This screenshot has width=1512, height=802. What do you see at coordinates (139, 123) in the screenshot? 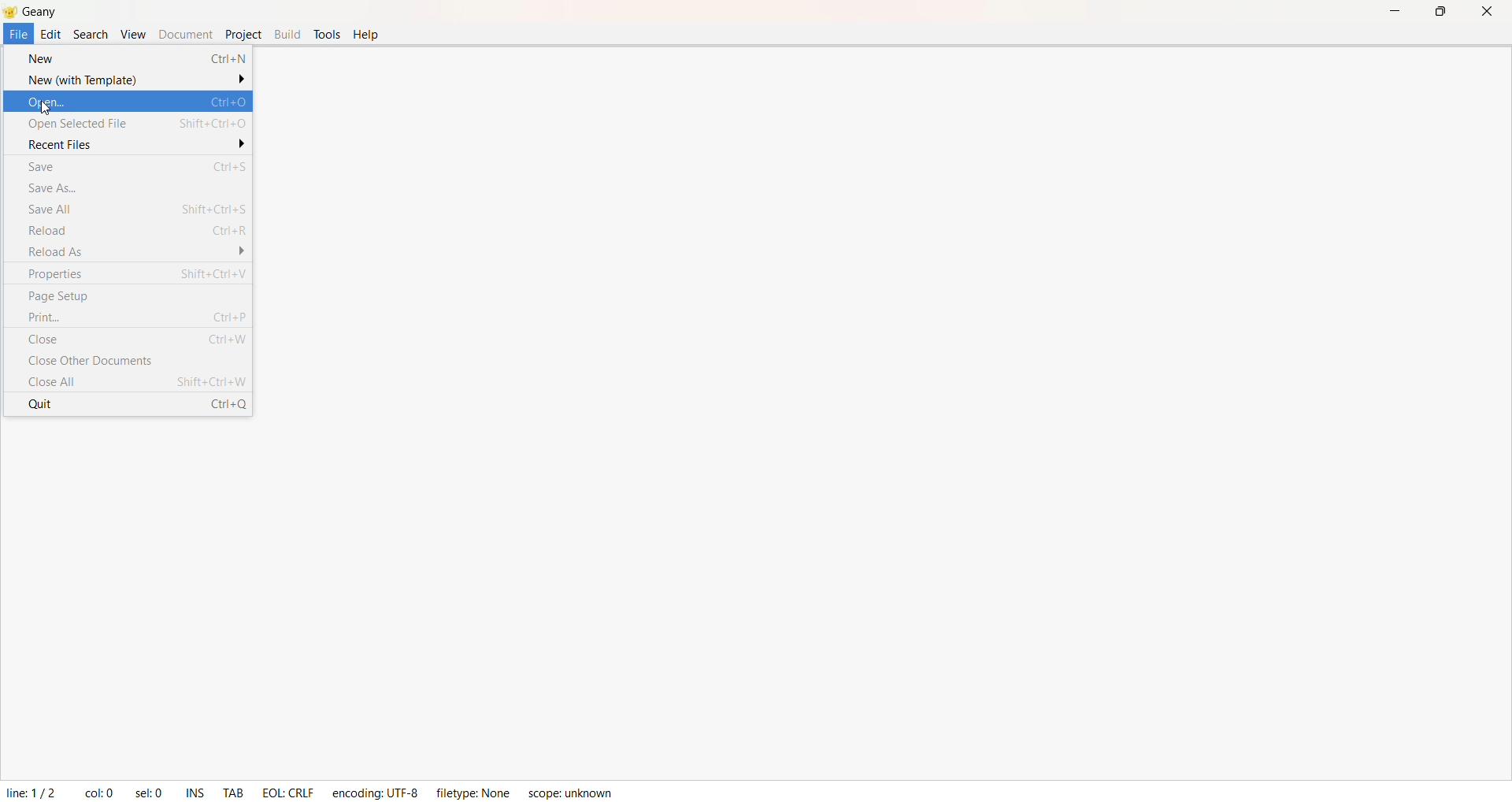
I see `Open Selected File` at bounding box center [139, 123].